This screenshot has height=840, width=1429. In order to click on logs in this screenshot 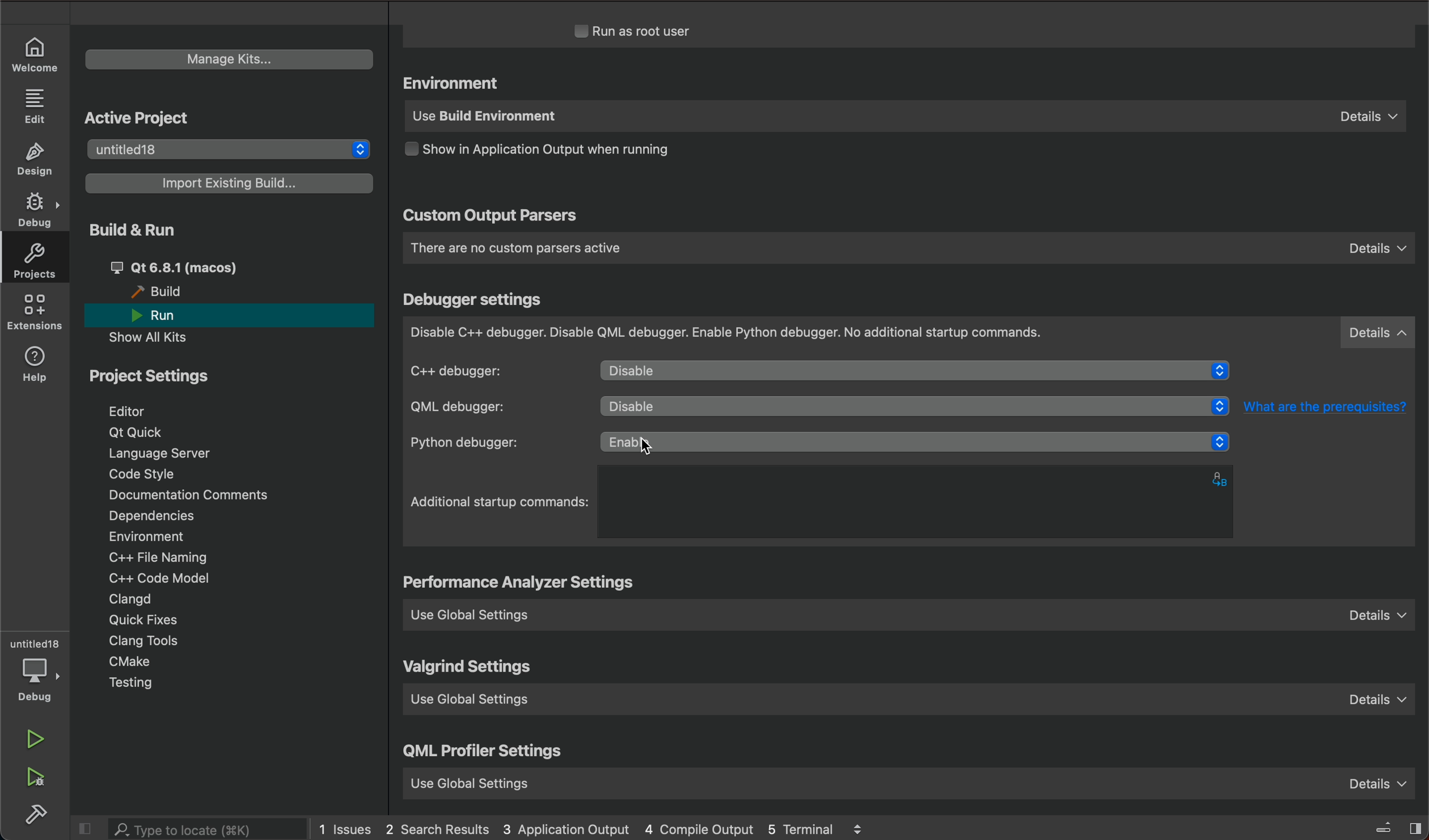, I will do `click(610, 828)`.